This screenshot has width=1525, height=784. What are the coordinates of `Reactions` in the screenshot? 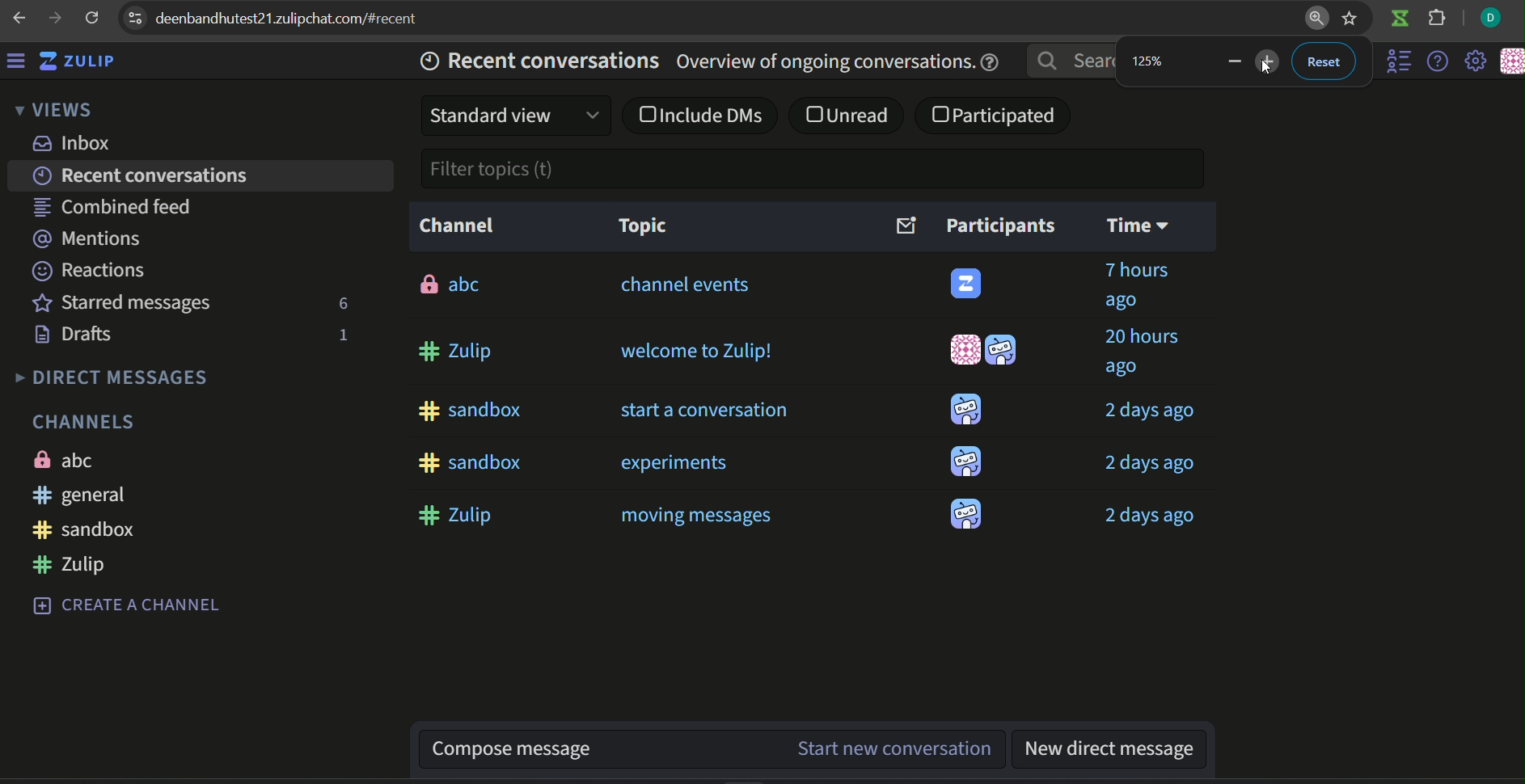 It's located at (91, 269).